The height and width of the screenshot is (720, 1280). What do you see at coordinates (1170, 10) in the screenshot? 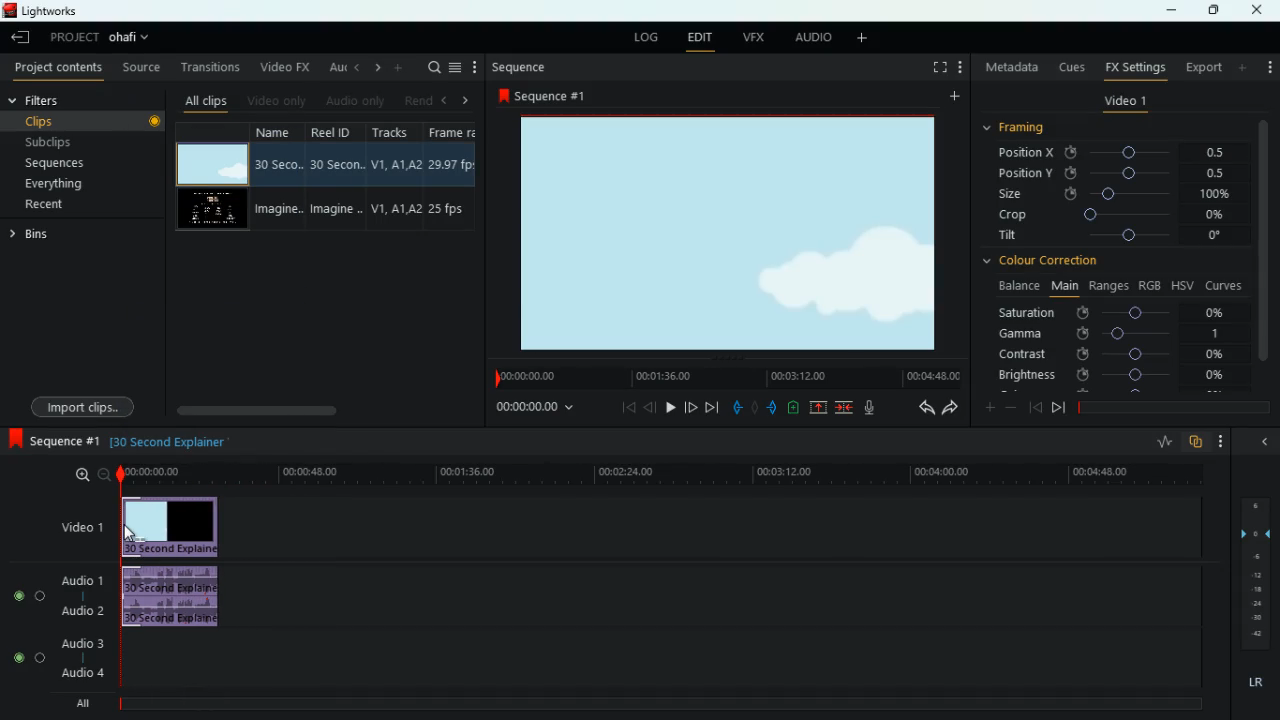
I see `minimize` at bounding box center [1170, 10].